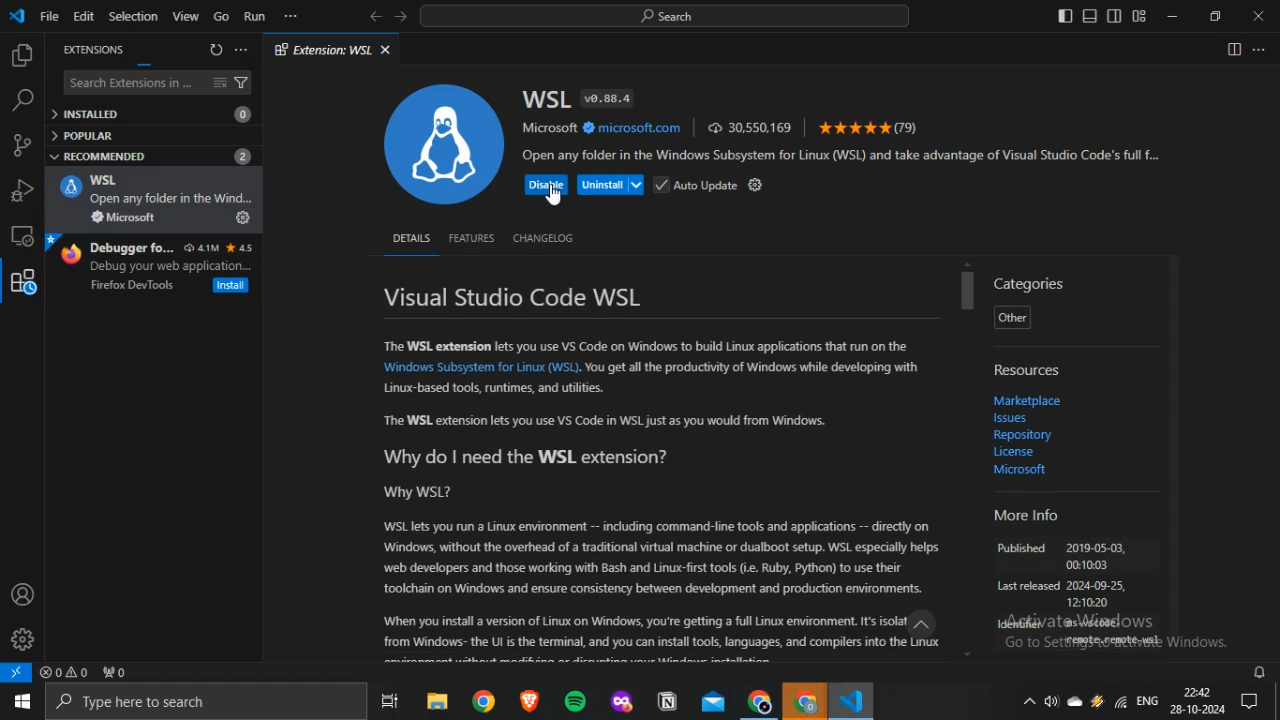  I want to click on google chrome, so click(486, 700).